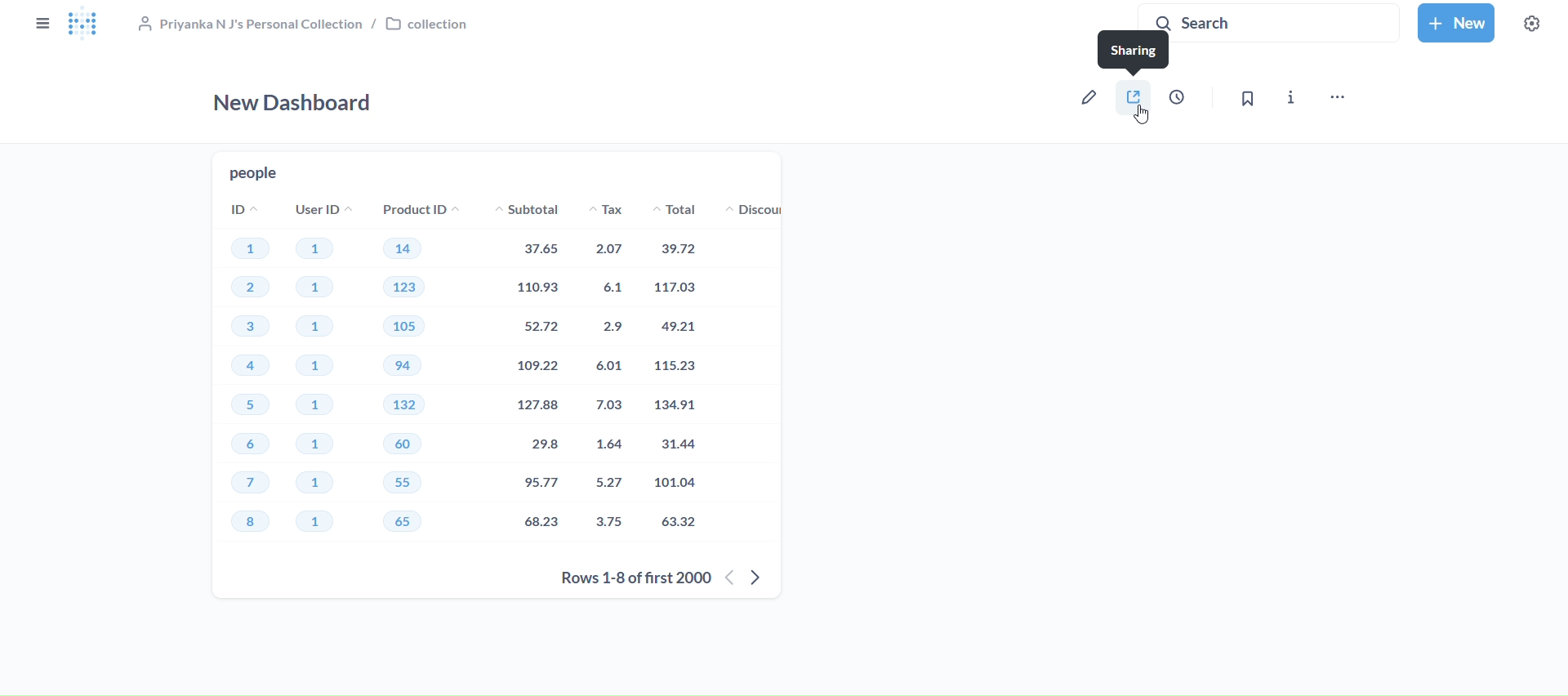  Describe the element at coordinates (1245, 100) in the screenshot. I see `bookmark` at that location.